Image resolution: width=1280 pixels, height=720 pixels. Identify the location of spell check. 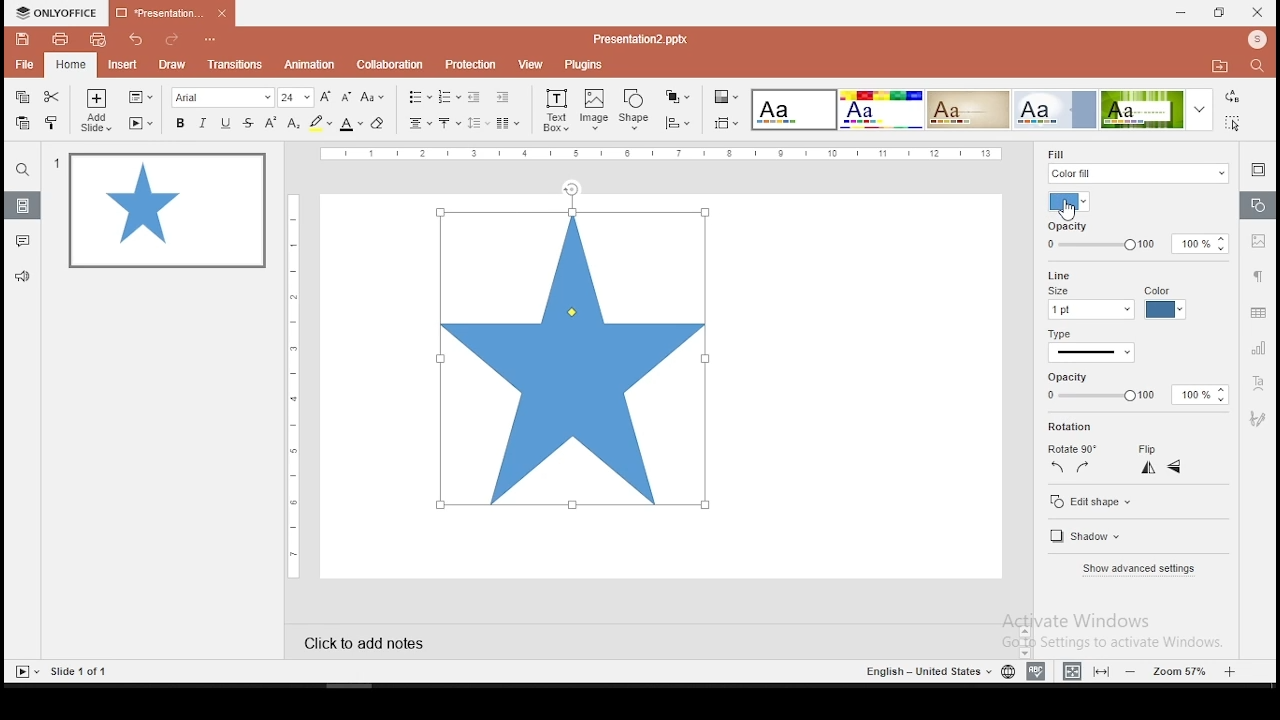
(1039, 669).